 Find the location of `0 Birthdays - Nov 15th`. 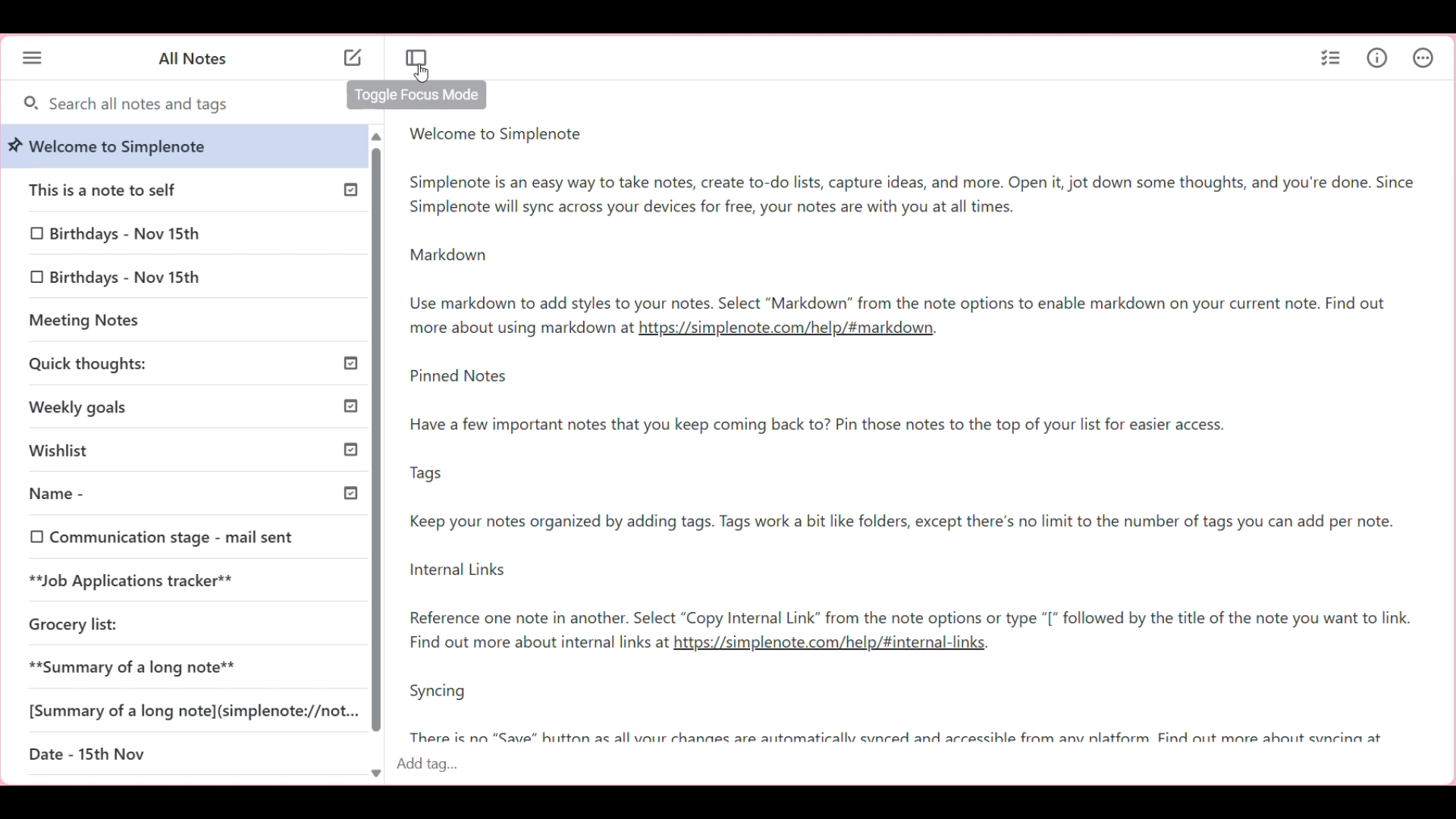

0 Birthdays - Nov 15th is located at coordinates (116, 236).